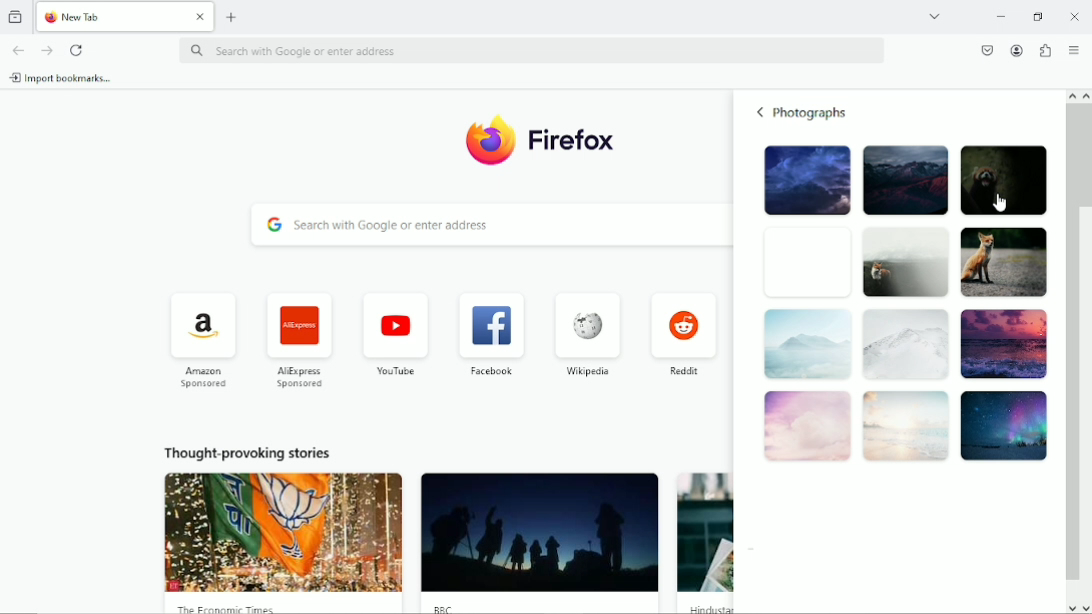 Image resolution: width=1092 pixels, height=614 pixels. I want to click on Photograph, so click(806, 347).